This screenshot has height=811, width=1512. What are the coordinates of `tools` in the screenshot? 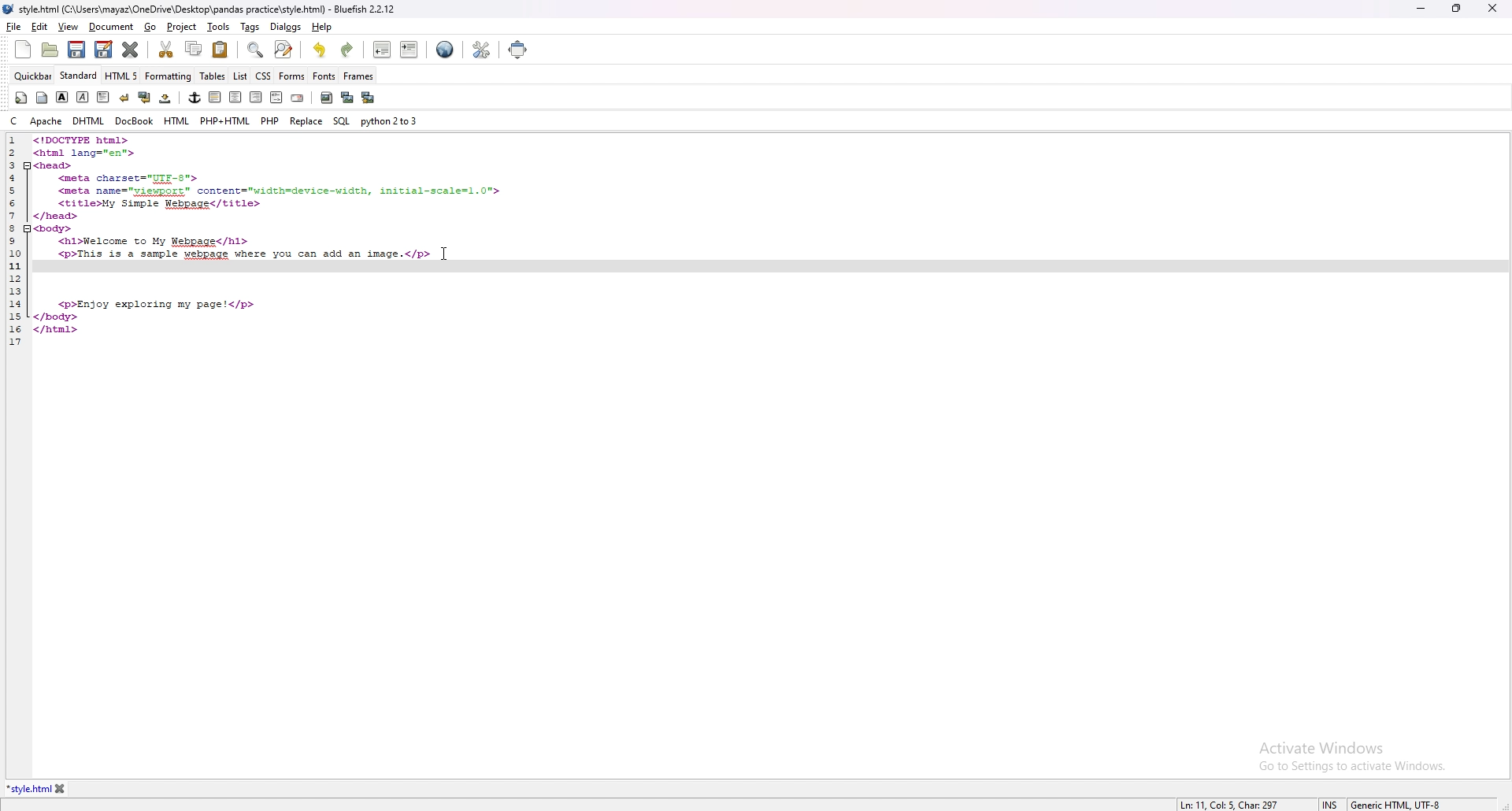 It's located at (219, 26).